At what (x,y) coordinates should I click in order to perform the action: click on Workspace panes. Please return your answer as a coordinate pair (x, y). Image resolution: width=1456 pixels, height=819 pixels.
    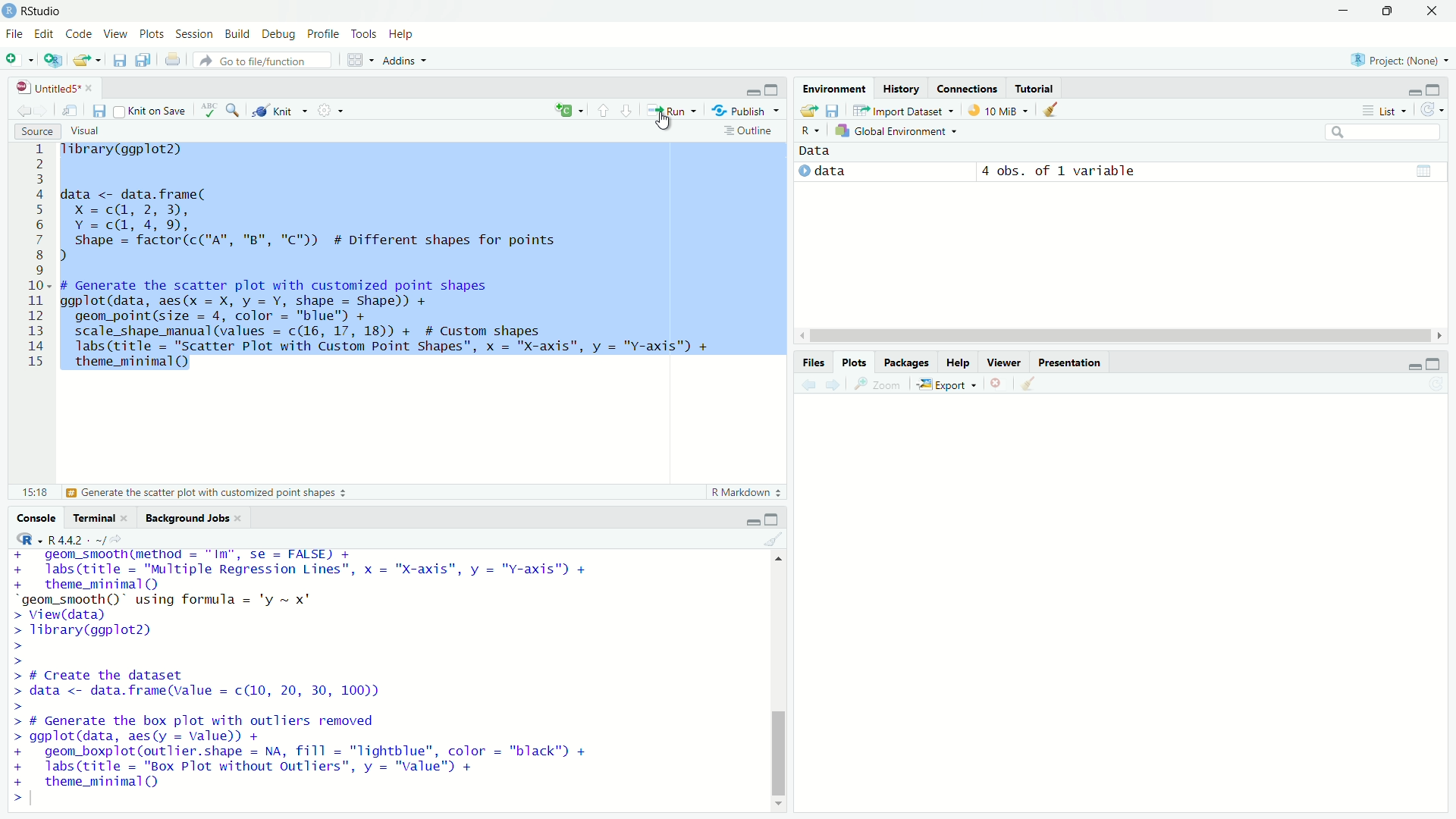
    Looking at the image, I should click on (359, 60).